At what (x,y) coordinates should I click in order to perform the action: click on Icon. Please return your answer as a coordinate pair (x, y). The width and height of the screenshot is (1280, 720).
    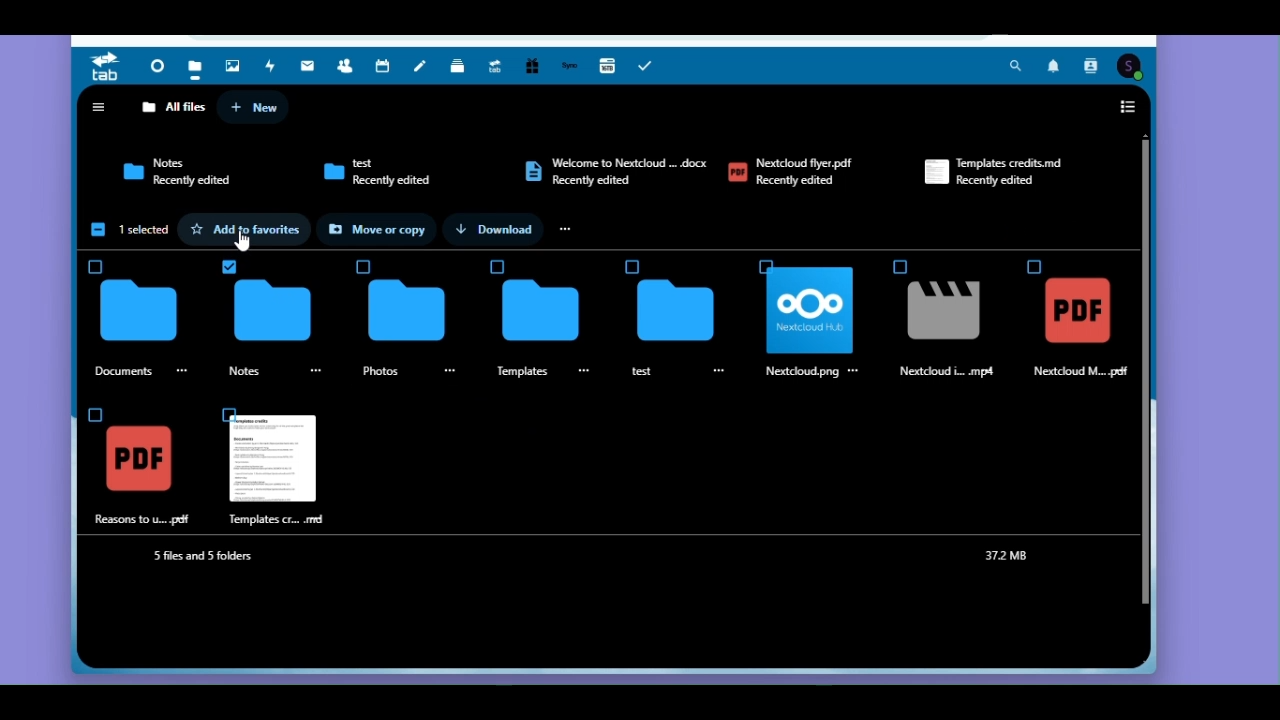
    Looking at the image, I should click on (1080, 312).